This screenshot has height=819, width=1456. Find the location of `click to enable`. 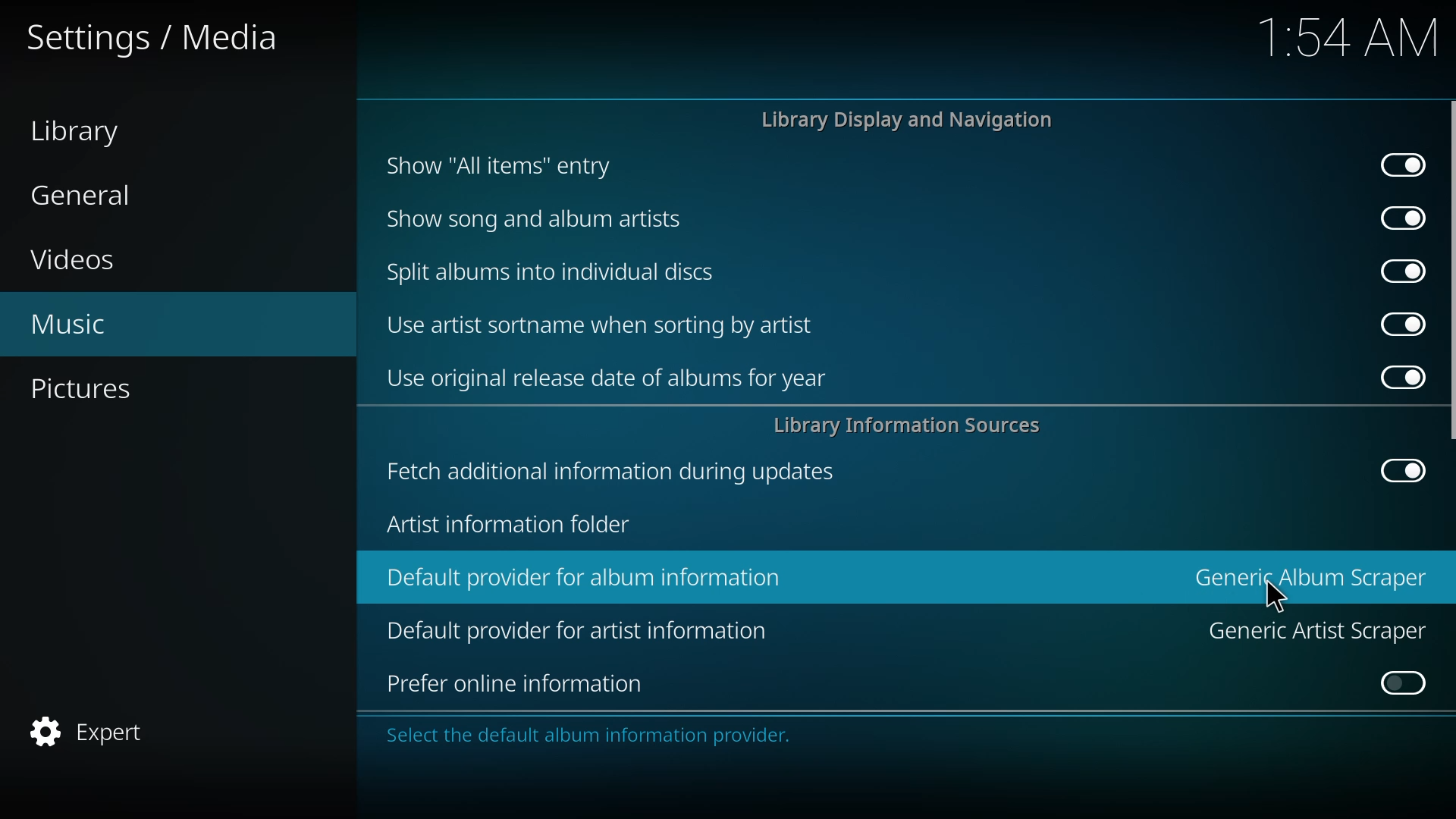

click to enable is located at coordinates (1395, 685).